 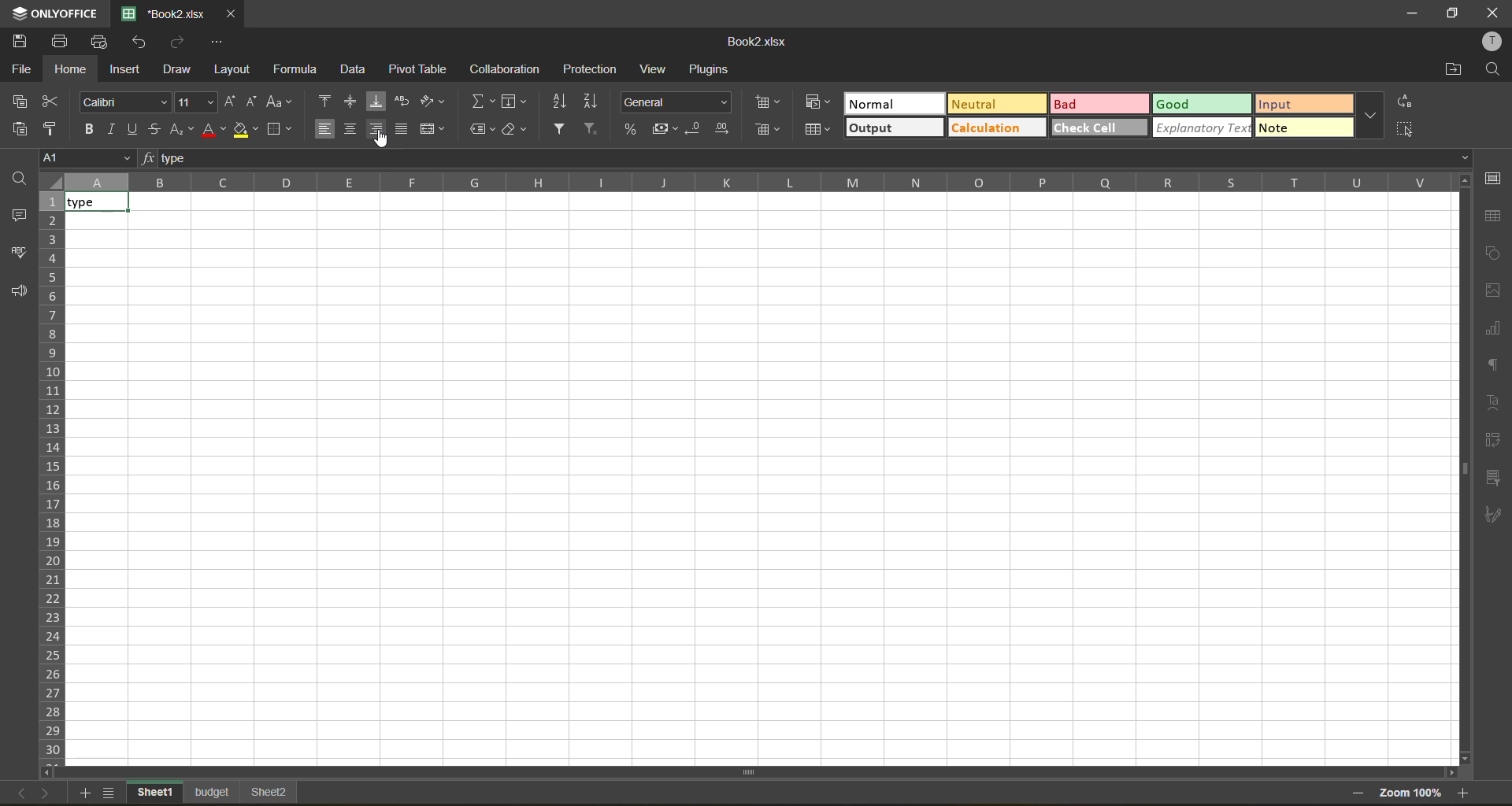 What do you see at coordinates (1306, 129) in the screenshot?
I see `note` at bounding box center [1306, 129].